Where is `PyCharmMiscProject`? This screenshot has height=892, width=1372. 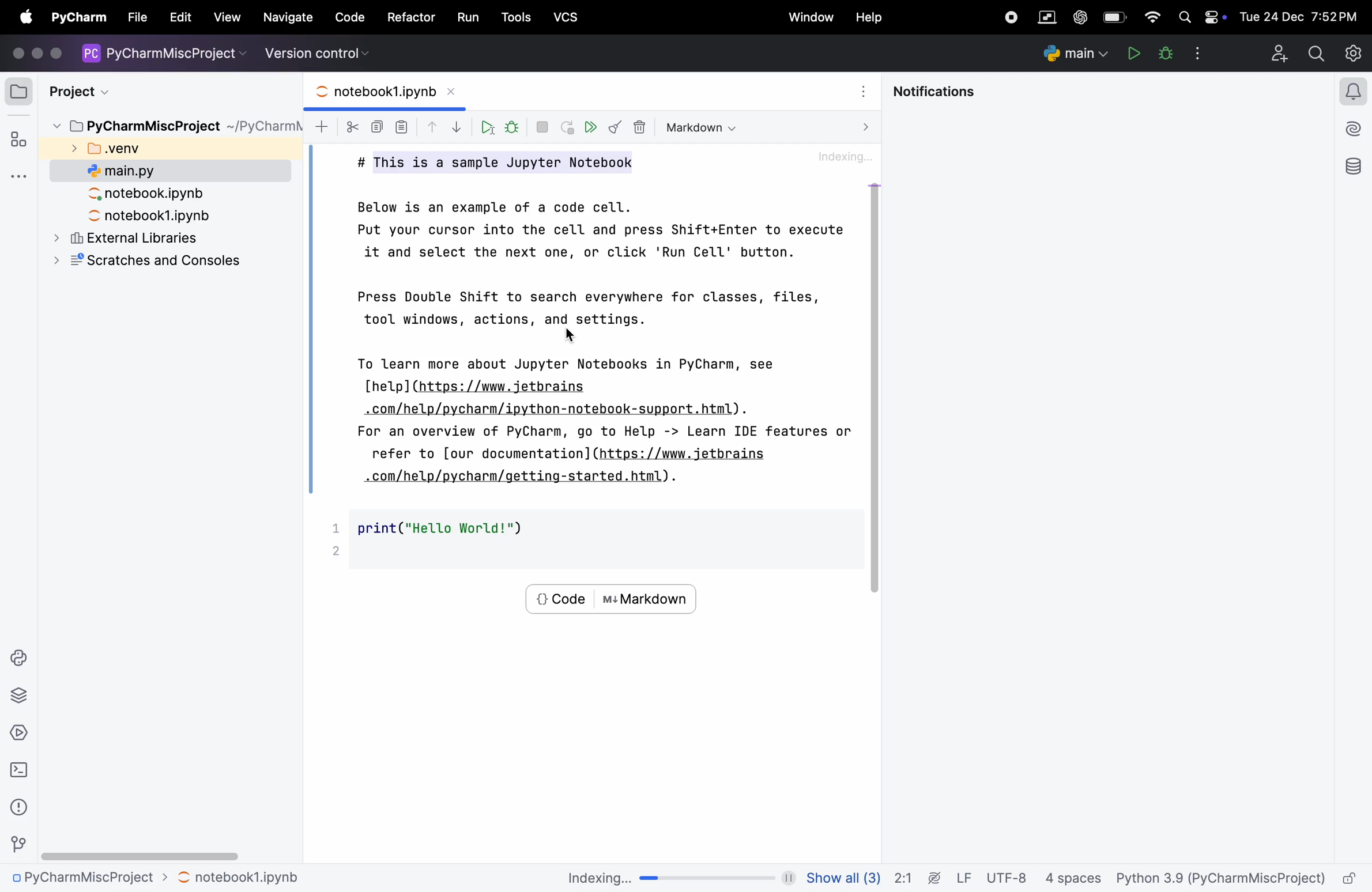 PyCharmMiscProject is located at coordinates (156, 54).